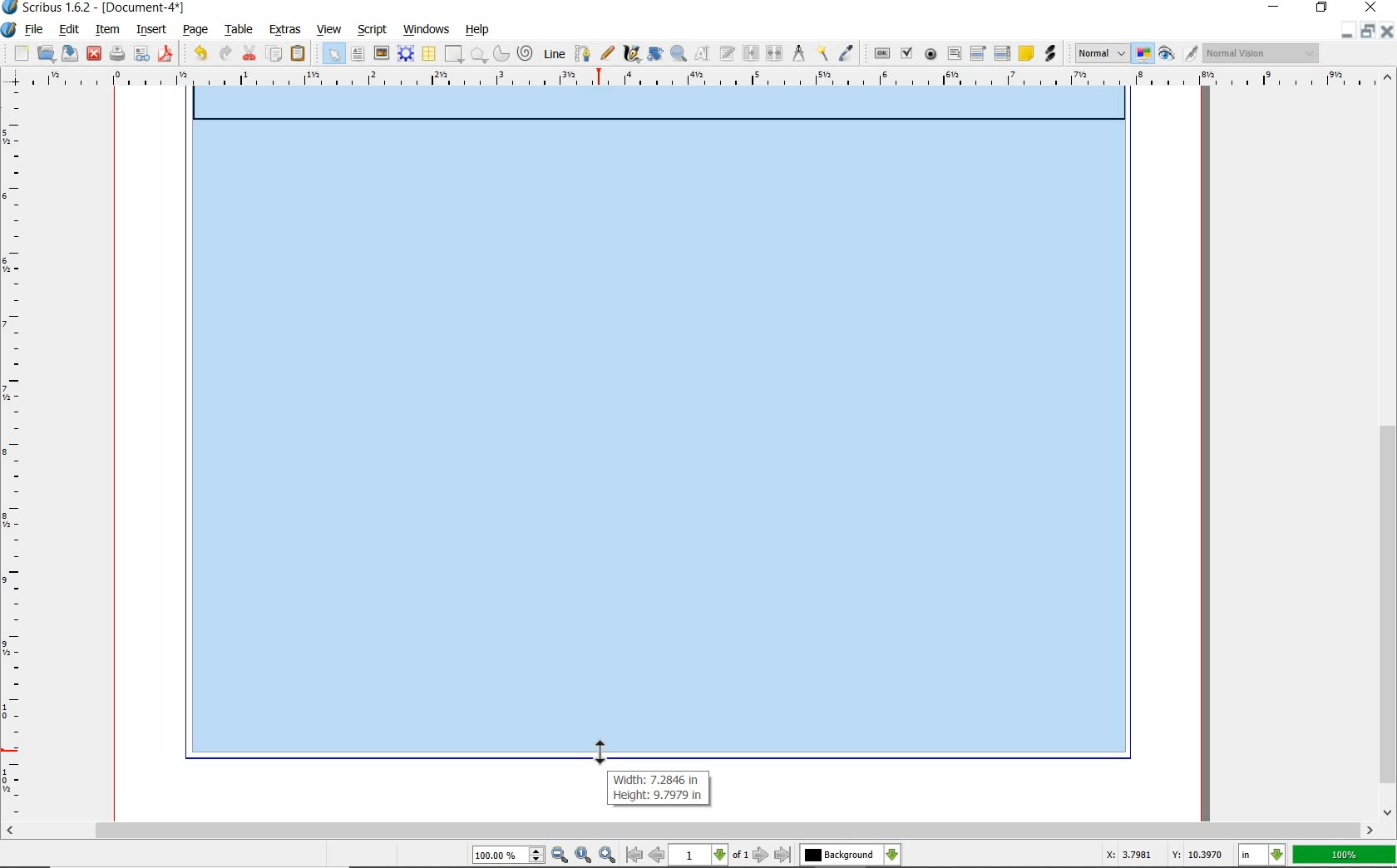  I want to click on Bezier curve, so click(584, 52).